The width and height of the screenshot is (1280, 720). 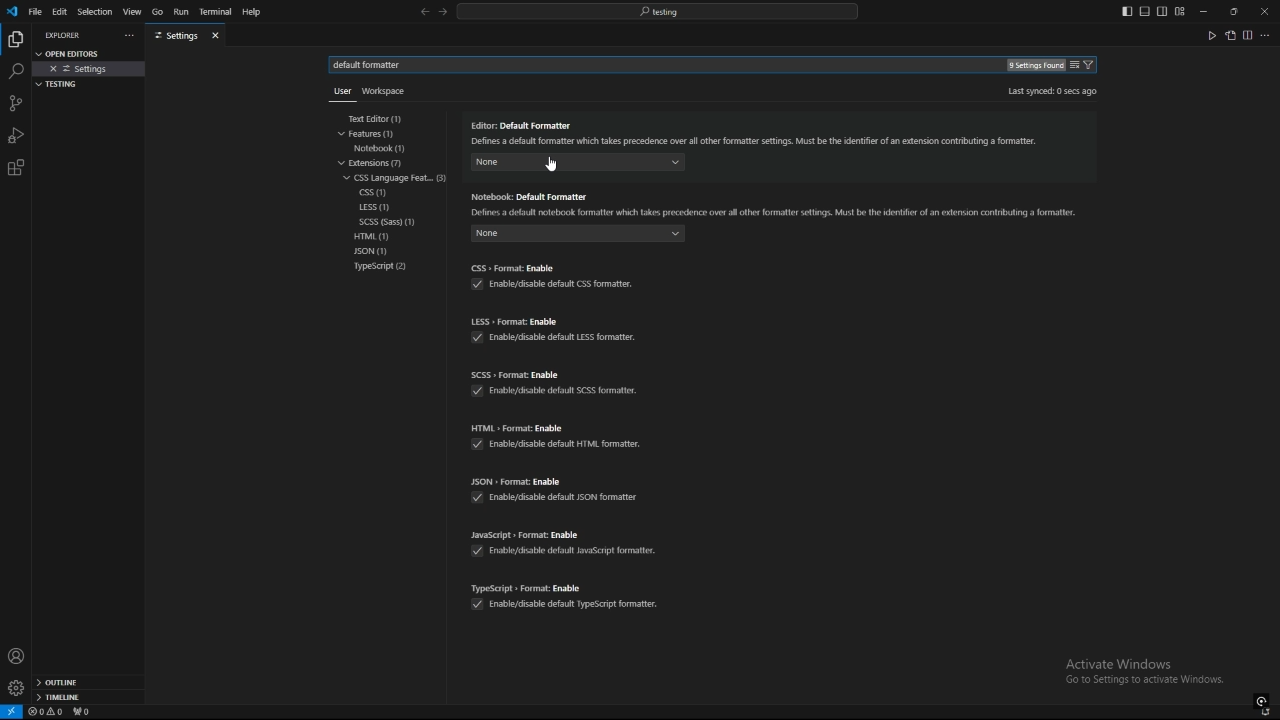 What do you see at coordinates (88, 699) in the screenshot?
I see `timeline` at bounding box center [88, 699].